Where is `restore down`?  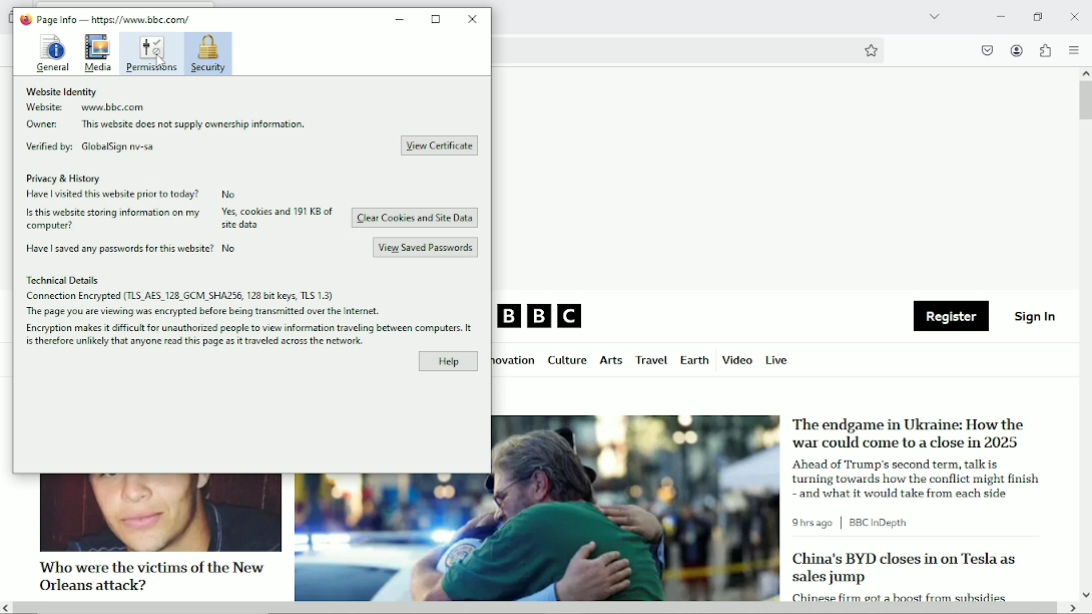
restore down is located at coordinates (1039, 16).